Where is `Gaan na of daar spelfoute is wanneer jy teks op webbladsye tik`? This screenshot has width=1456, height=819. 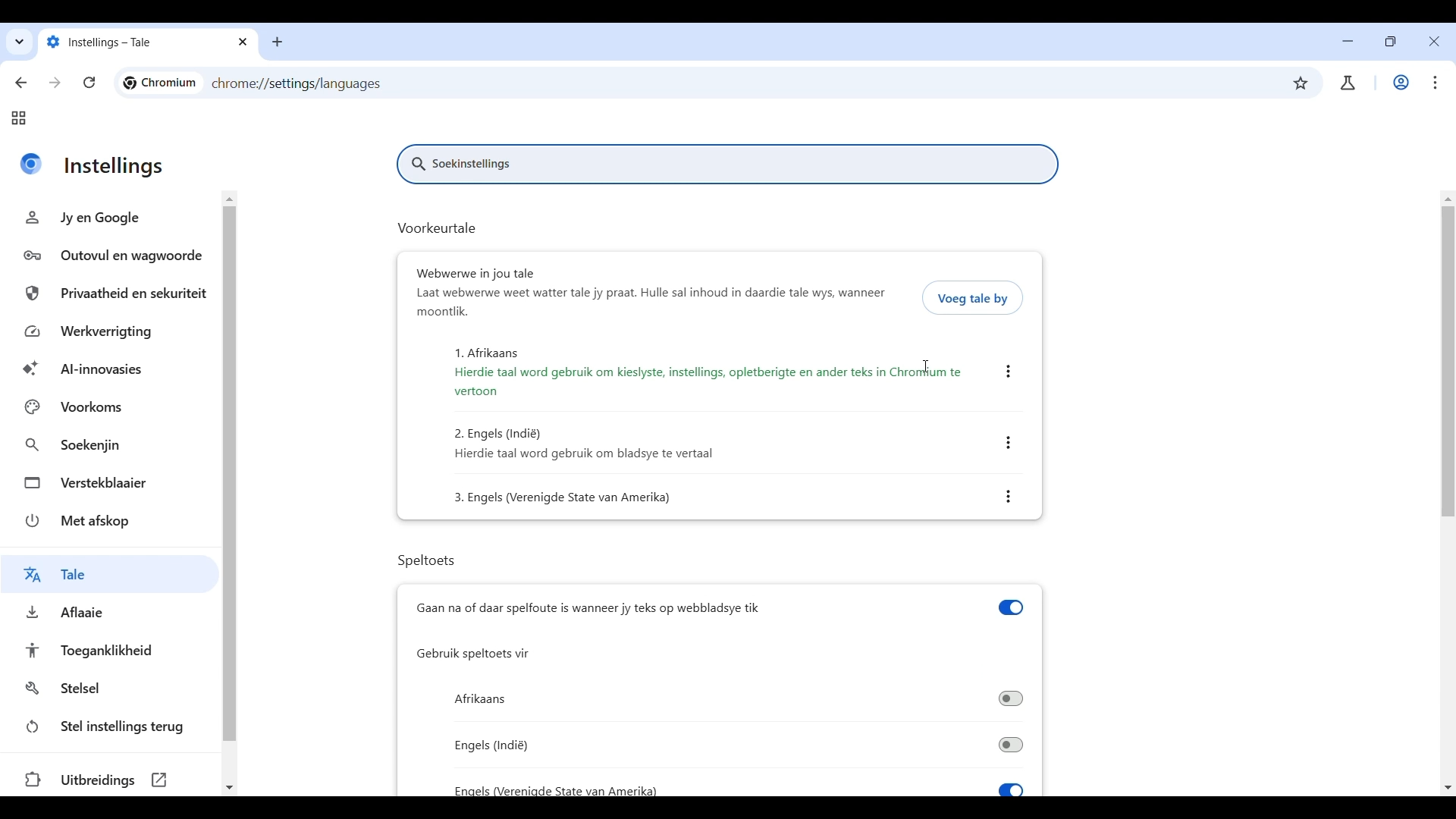 Gaan na of daar spelfoute is wanneer jy teks op webbladsye tik is located at coordinates (591, 610).